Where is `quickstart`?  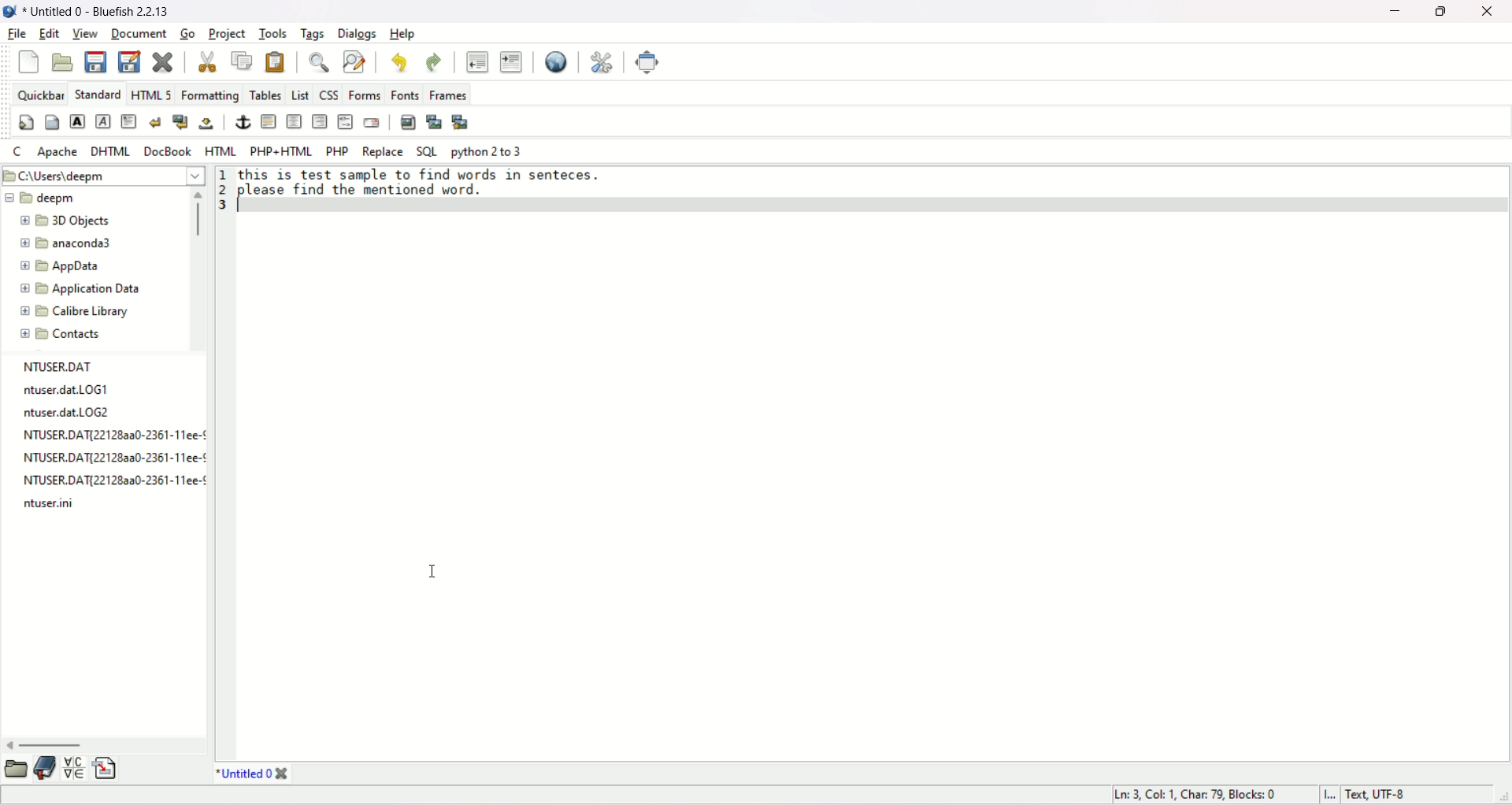 quickstart is located at coordinates (26, 123).